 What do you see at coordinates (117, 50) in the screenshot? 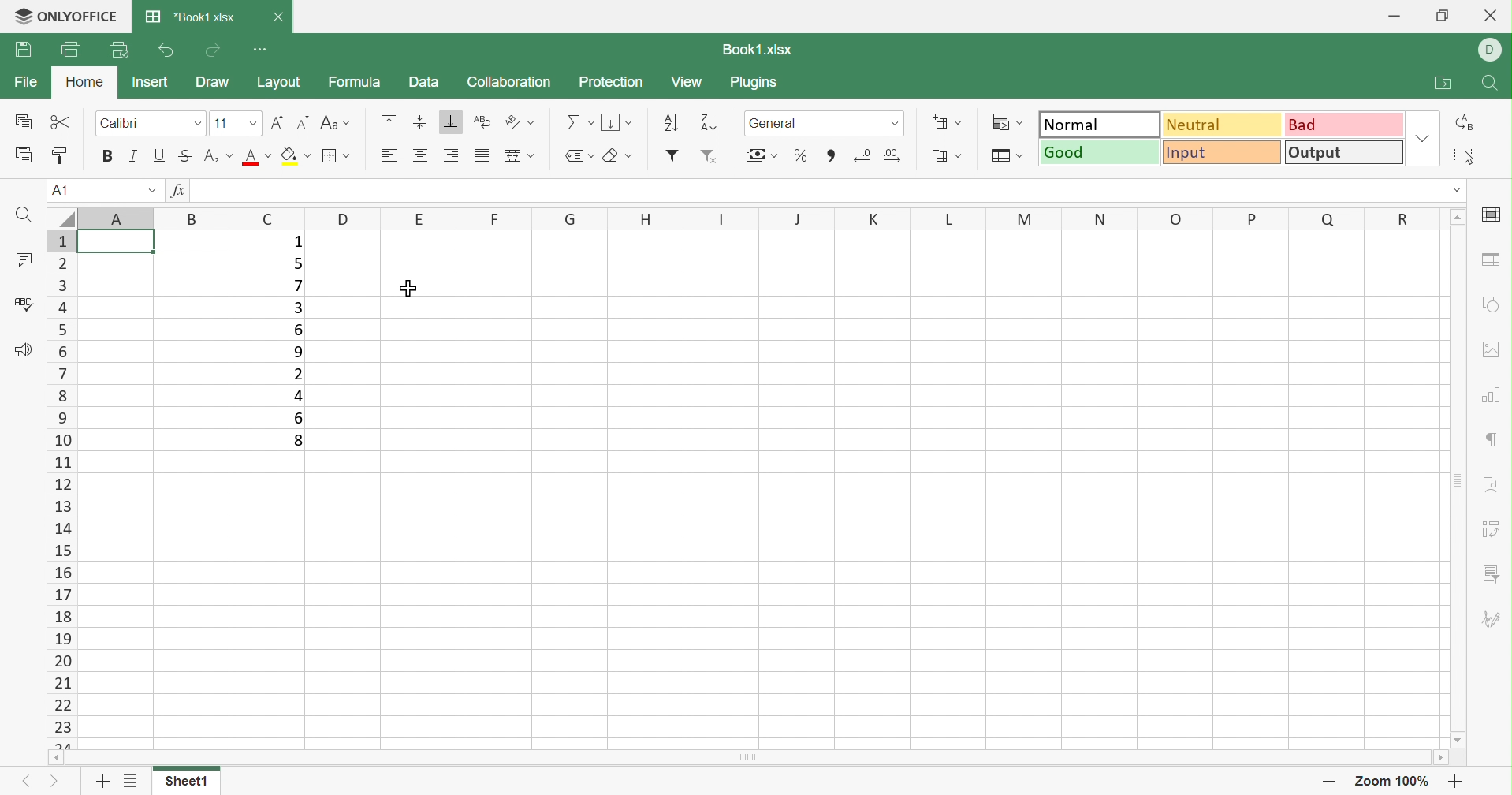
I see `Quick Print` at bounding box center [117, 50].